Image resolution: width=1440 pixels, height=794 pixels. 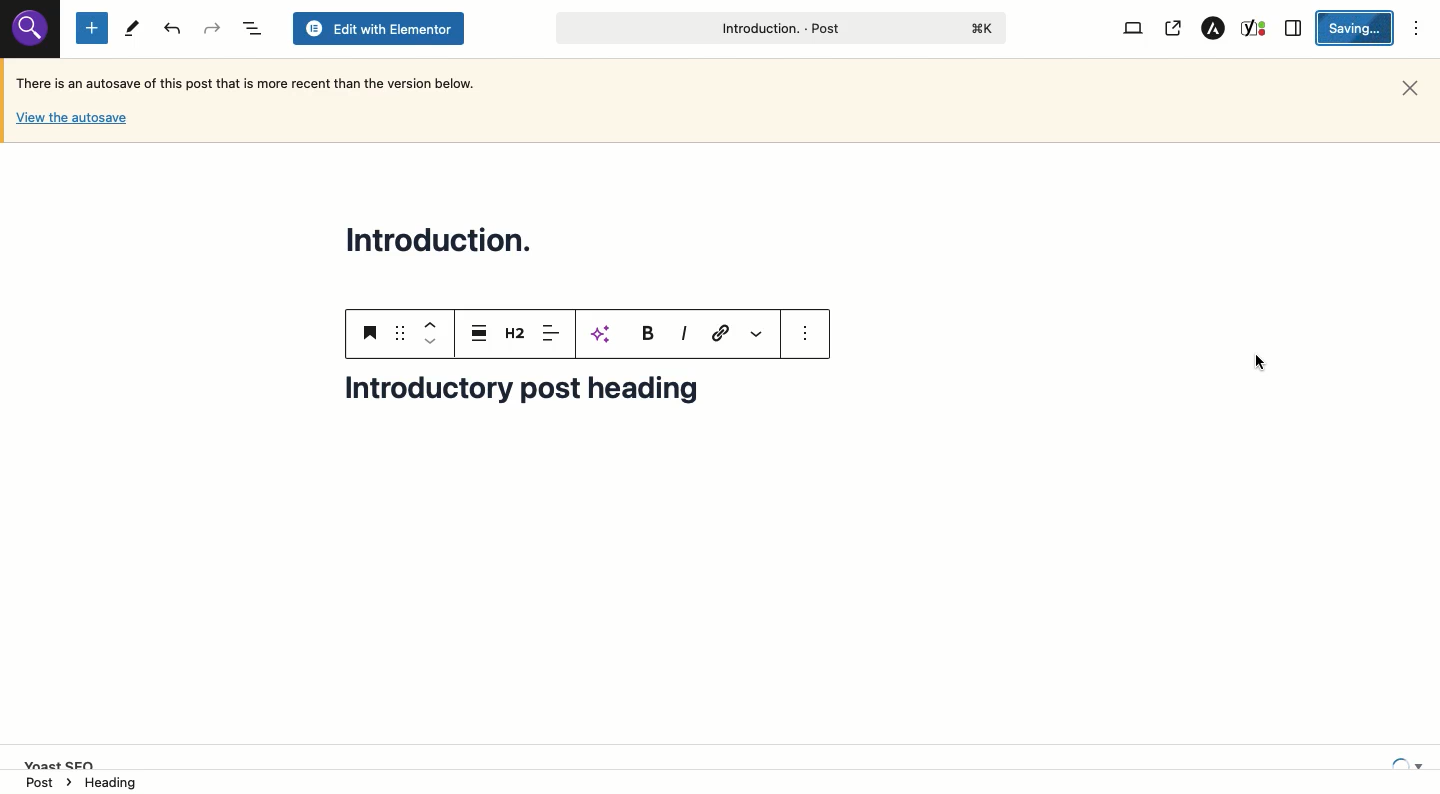 I want to click on Sidebar, so click(x=1293, y=28).